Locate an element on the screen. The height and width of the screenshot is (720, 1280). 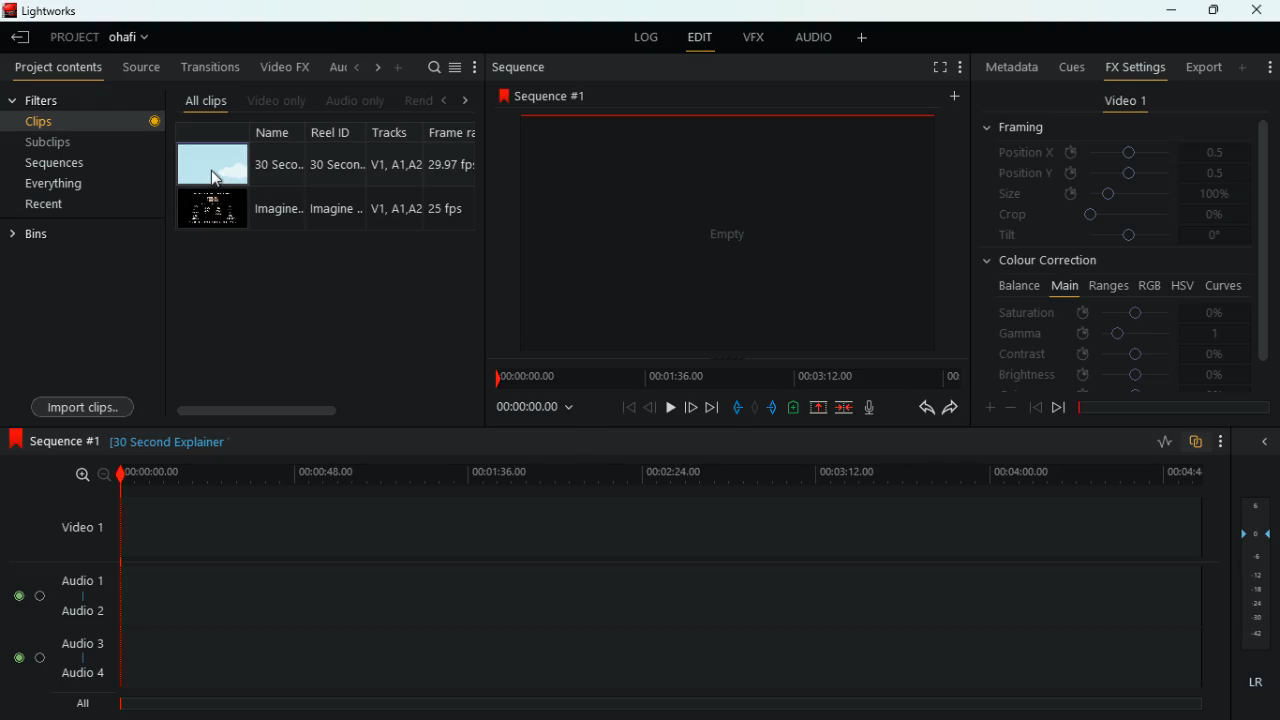
main is located at coordinates (1062, 287).